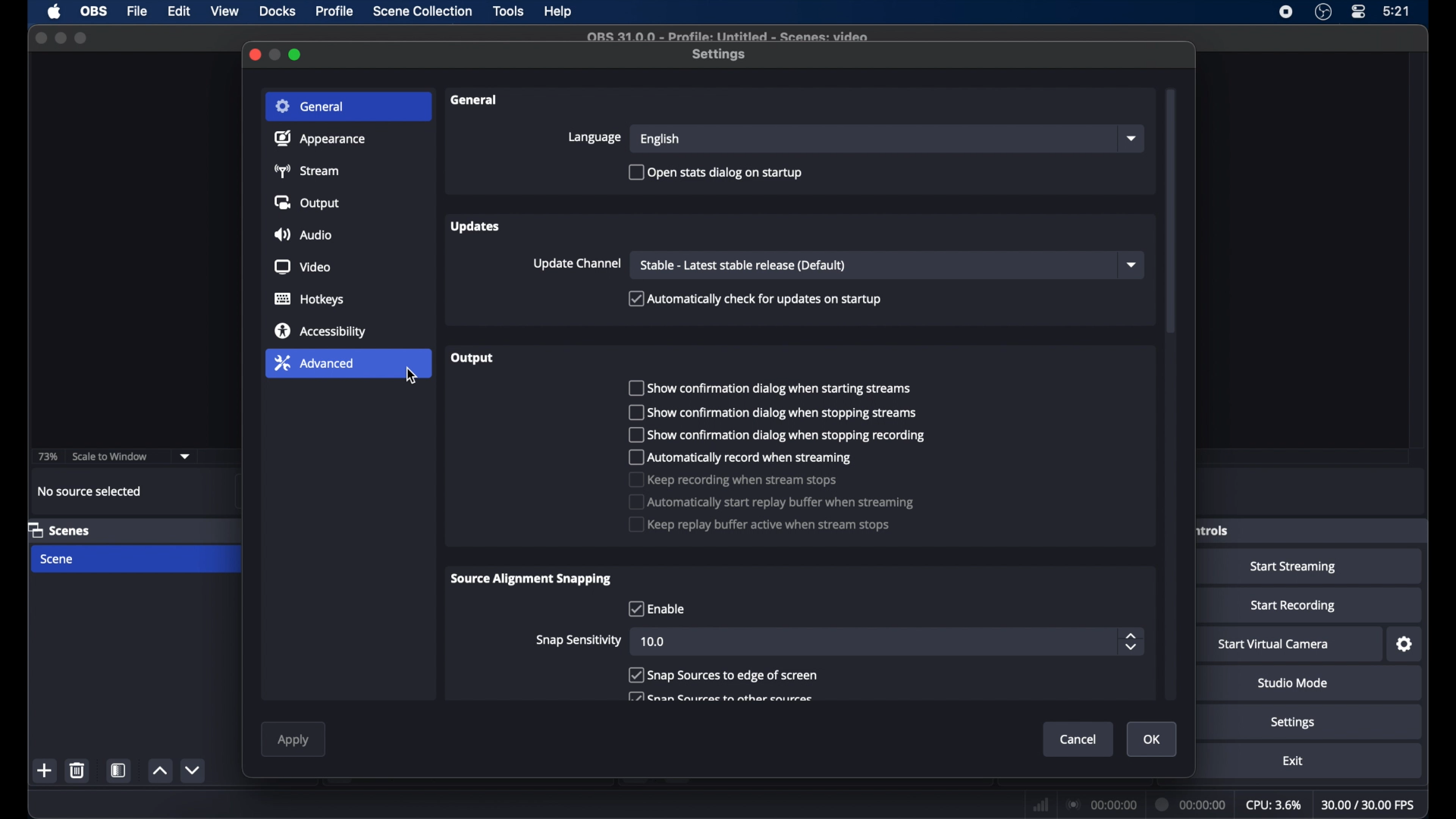  I want to click on accessibility, so click(320, 331).